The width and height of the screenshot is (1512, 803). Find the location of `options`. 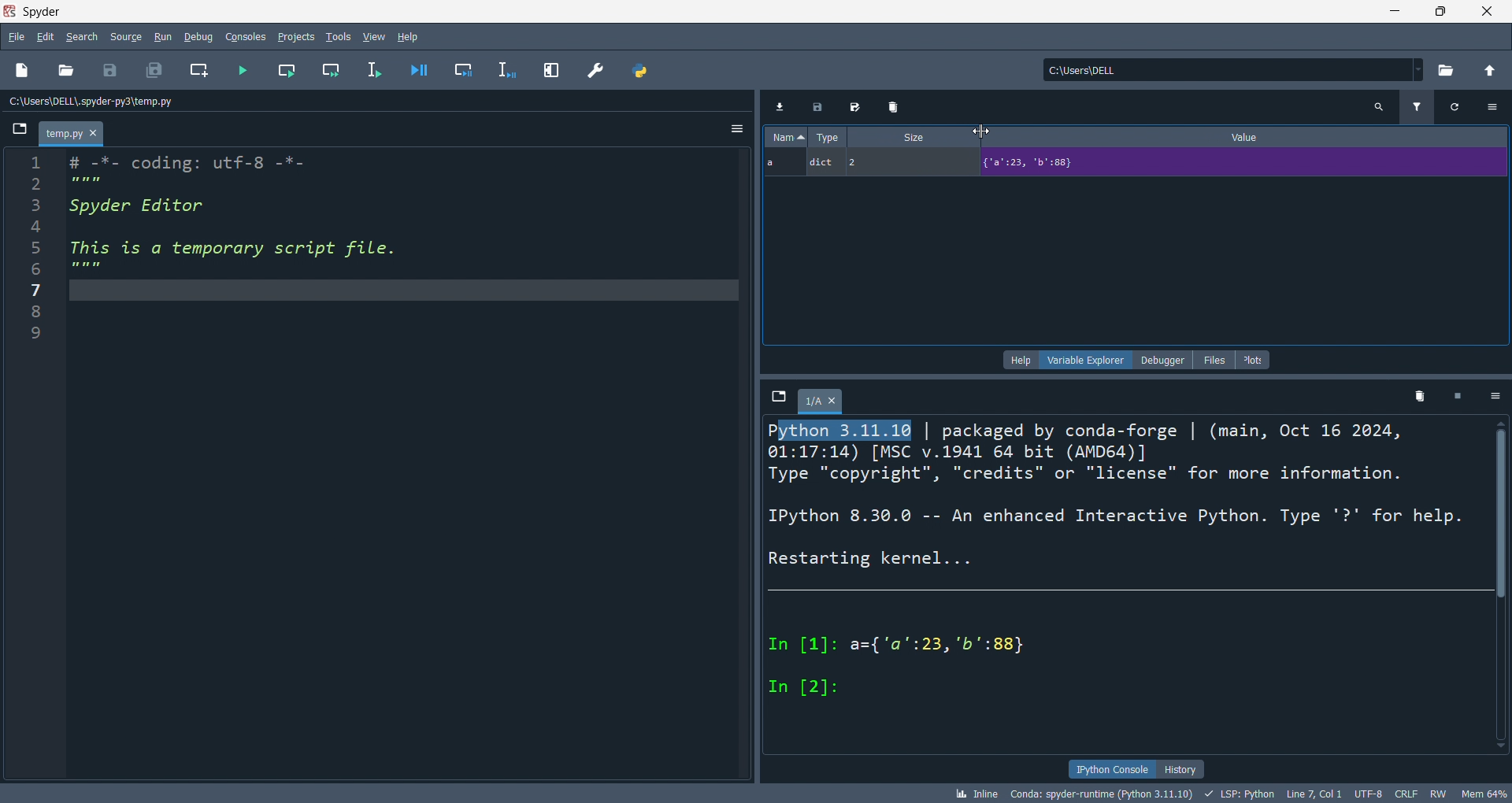

options is located at coordinates (1497, 106).